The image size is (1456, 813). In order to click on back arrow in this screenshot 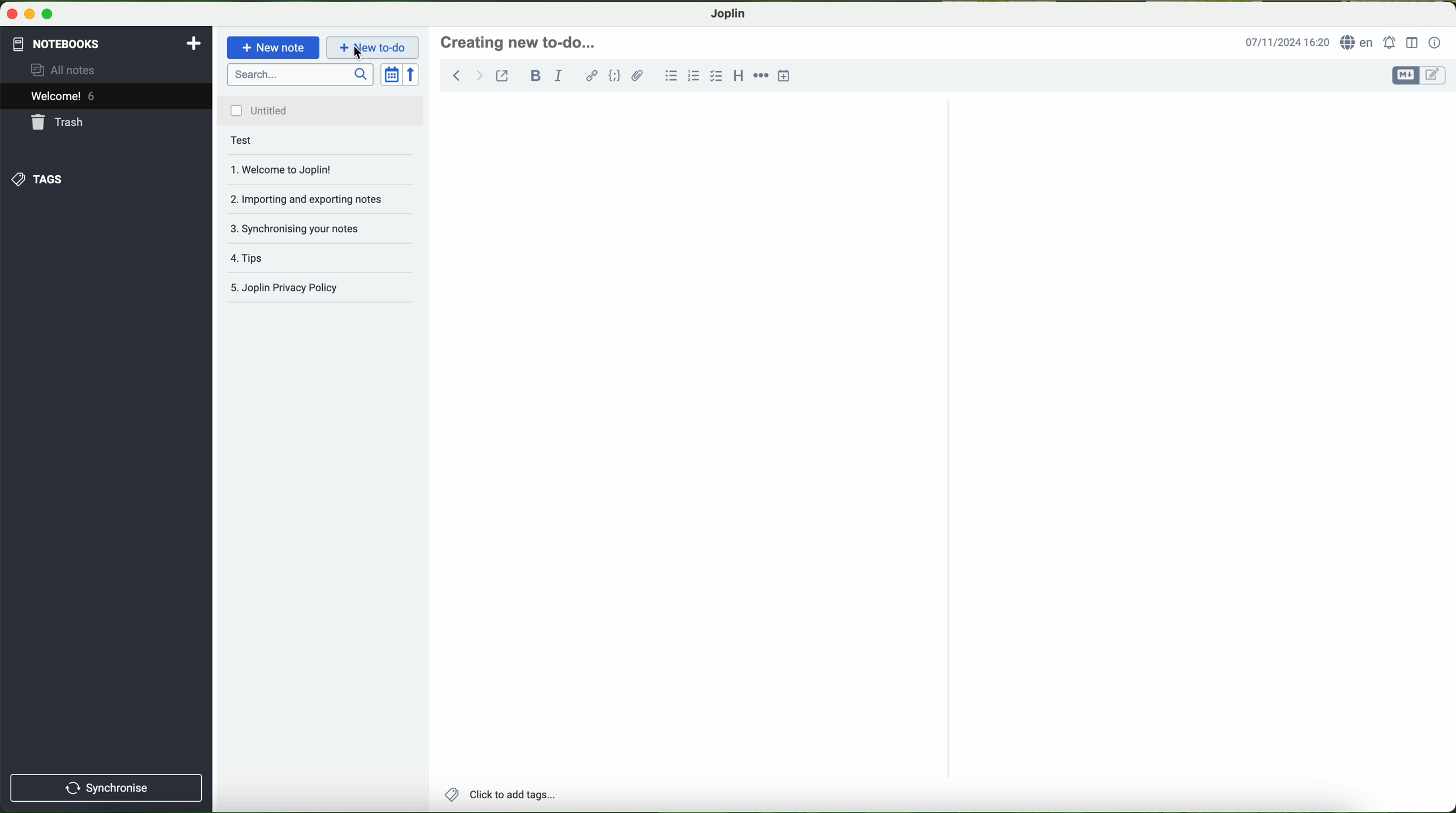, I will do `click(466, 74)`.